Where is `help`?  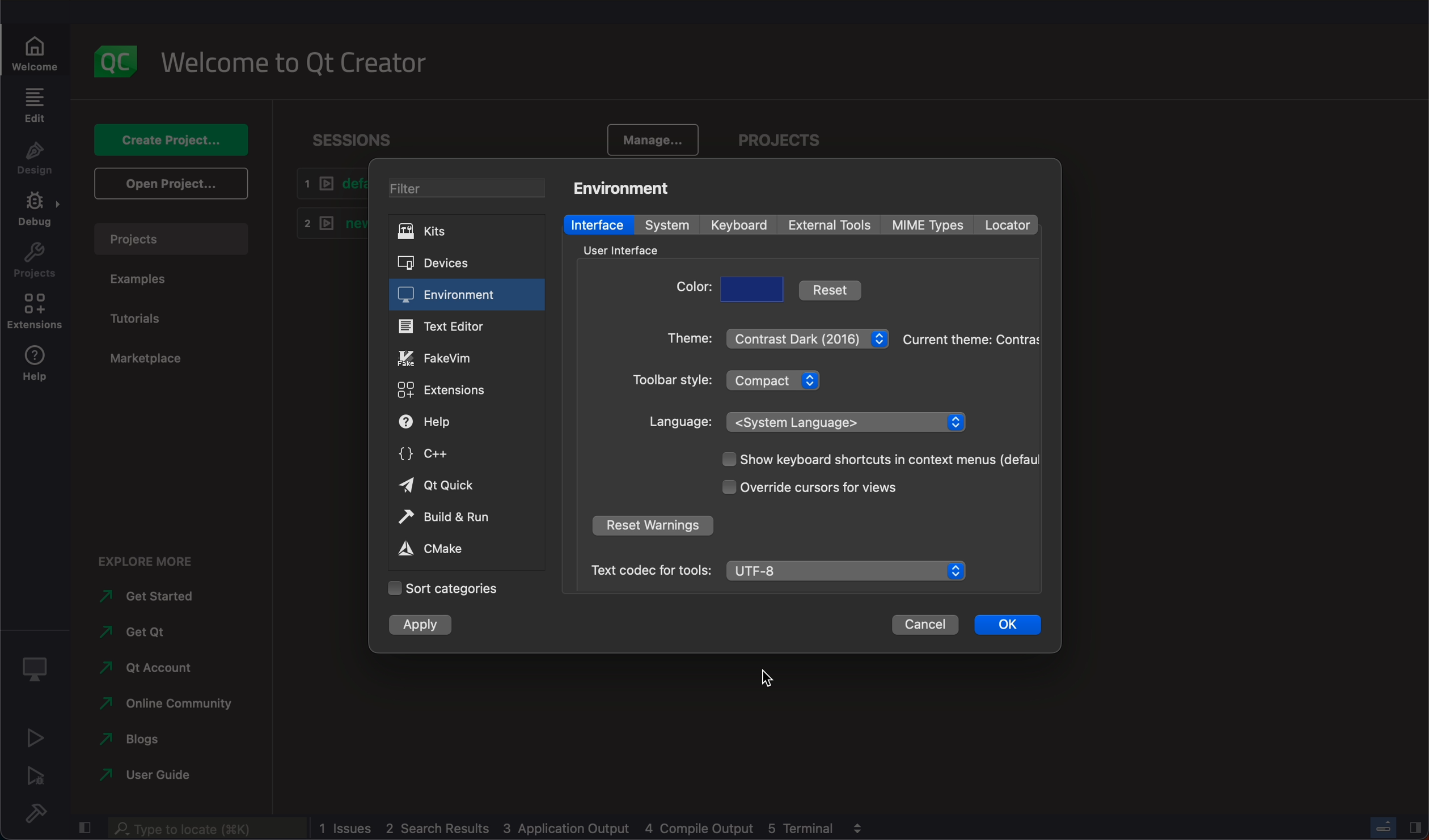 help is located at coordinates (458, 422).